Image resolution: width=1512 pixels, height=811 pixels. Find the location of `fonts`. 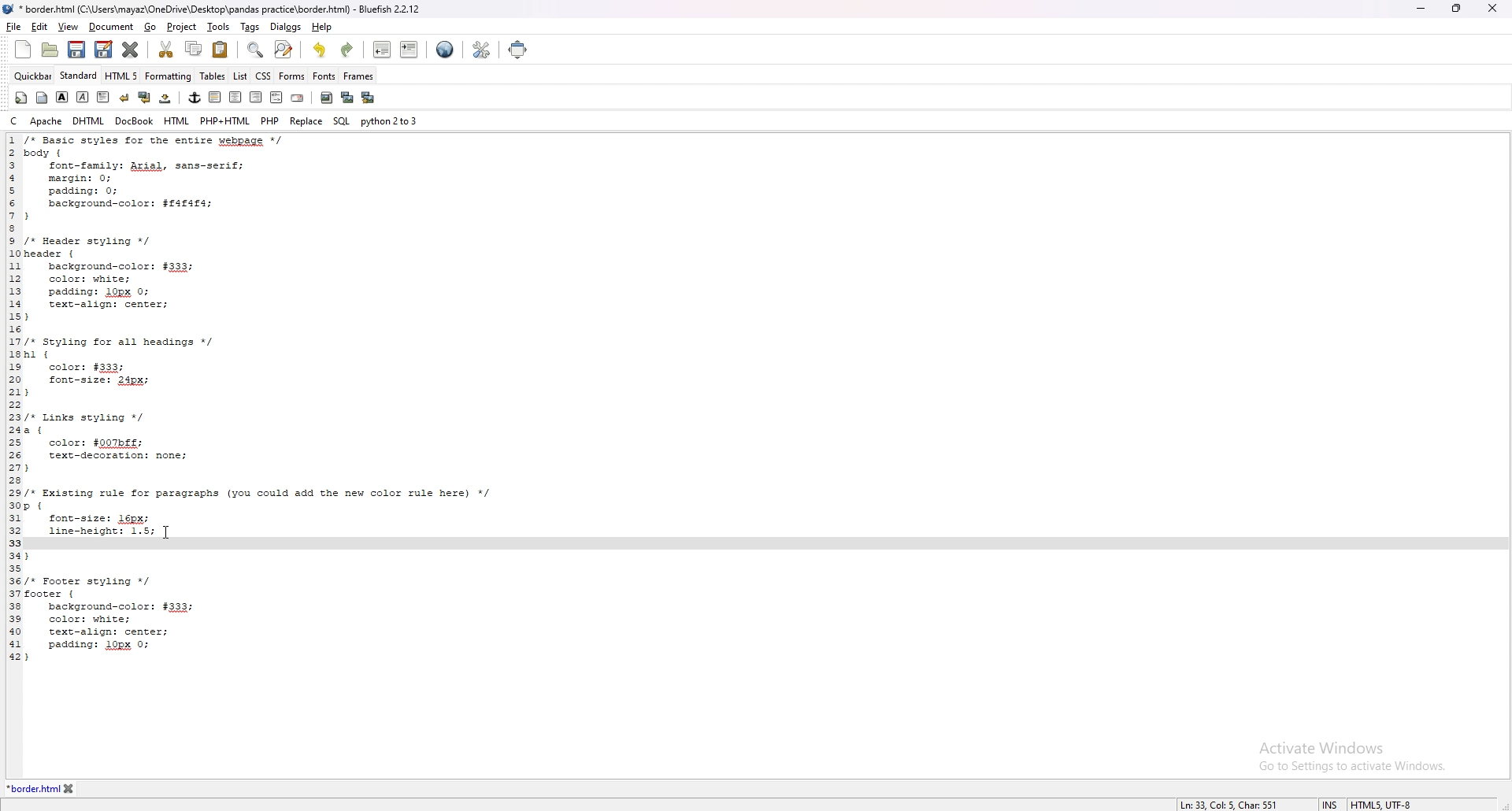

fonts is located at coordinates (324, 76).